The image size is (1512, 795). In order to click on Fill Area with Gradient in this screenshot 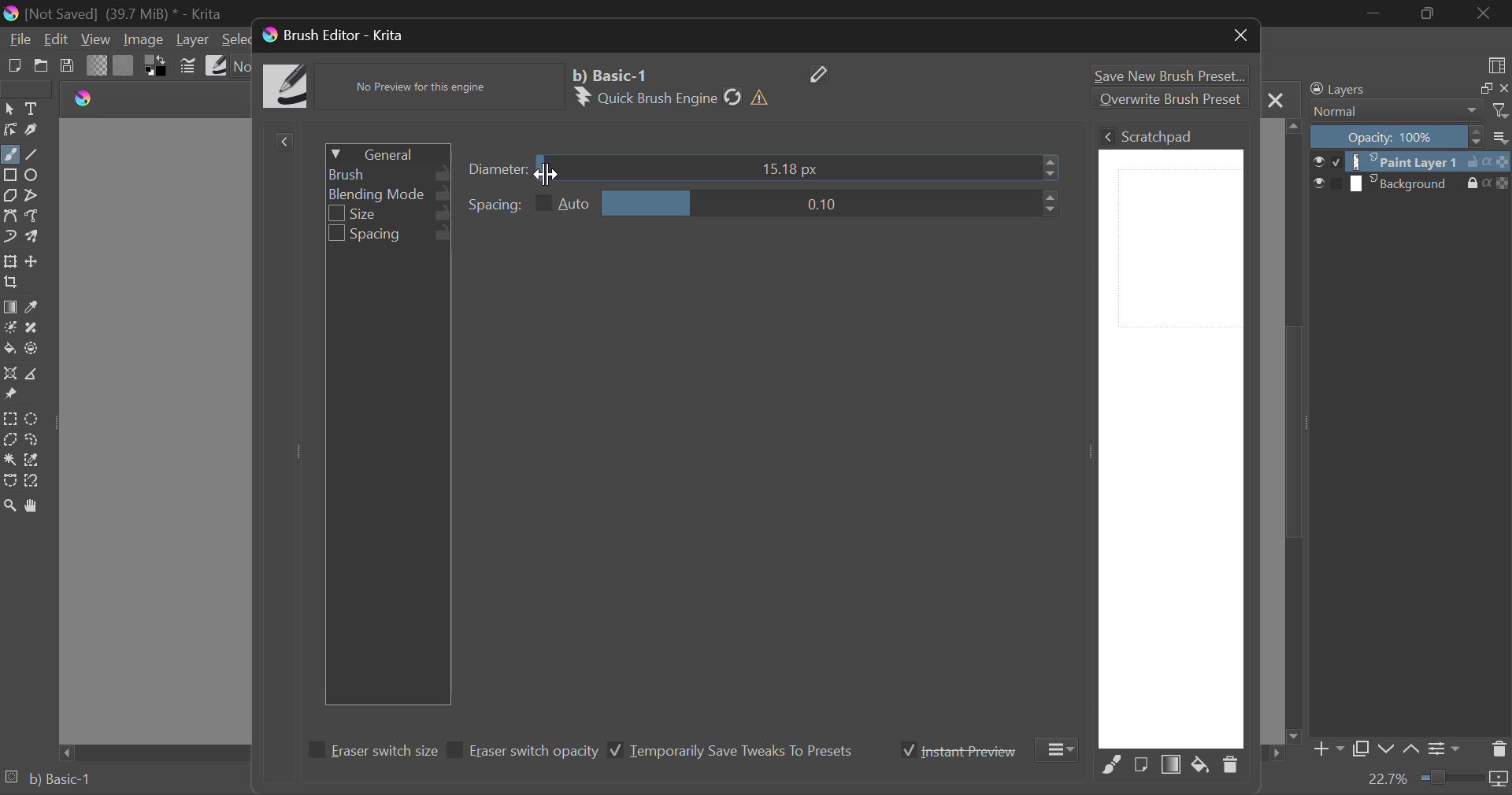, I will do `click(1172, 766)`.